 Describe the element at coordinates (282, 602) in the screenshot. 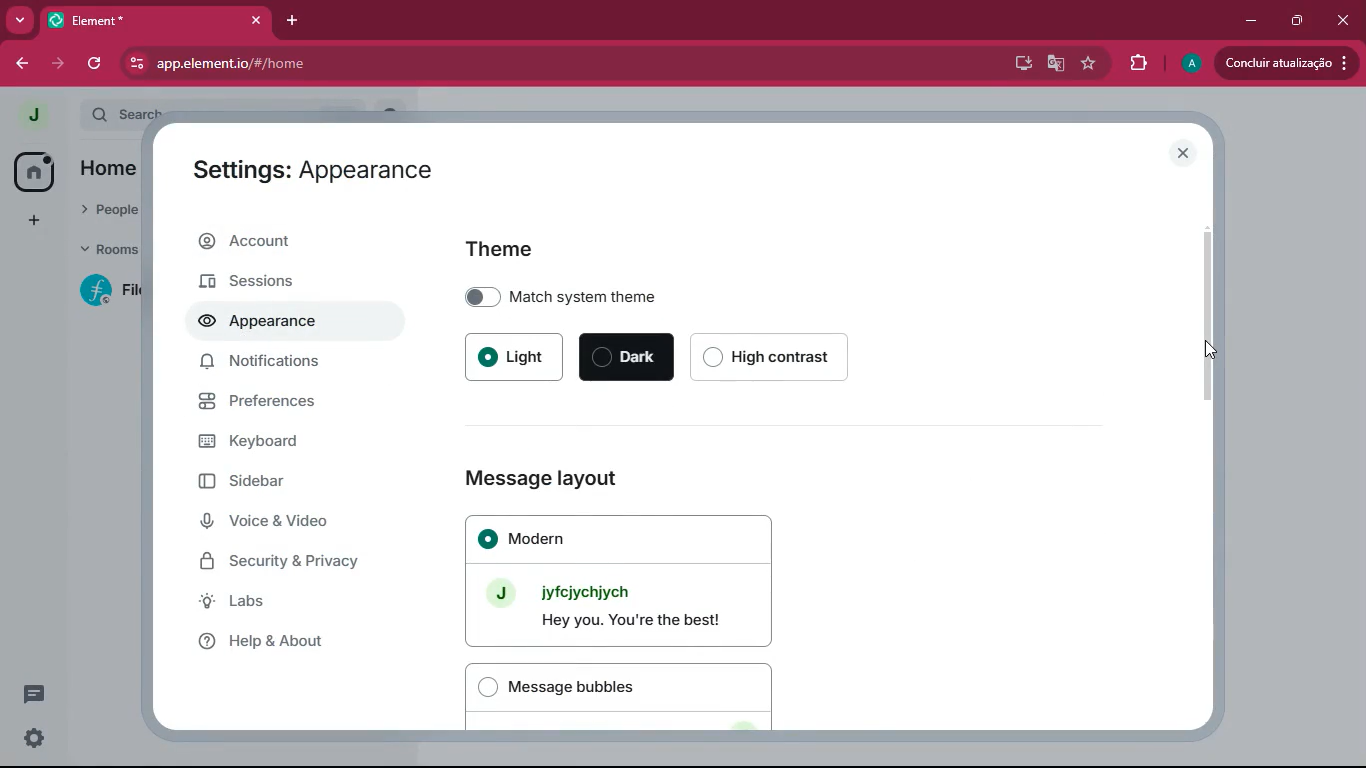

I see `labs` at that location.